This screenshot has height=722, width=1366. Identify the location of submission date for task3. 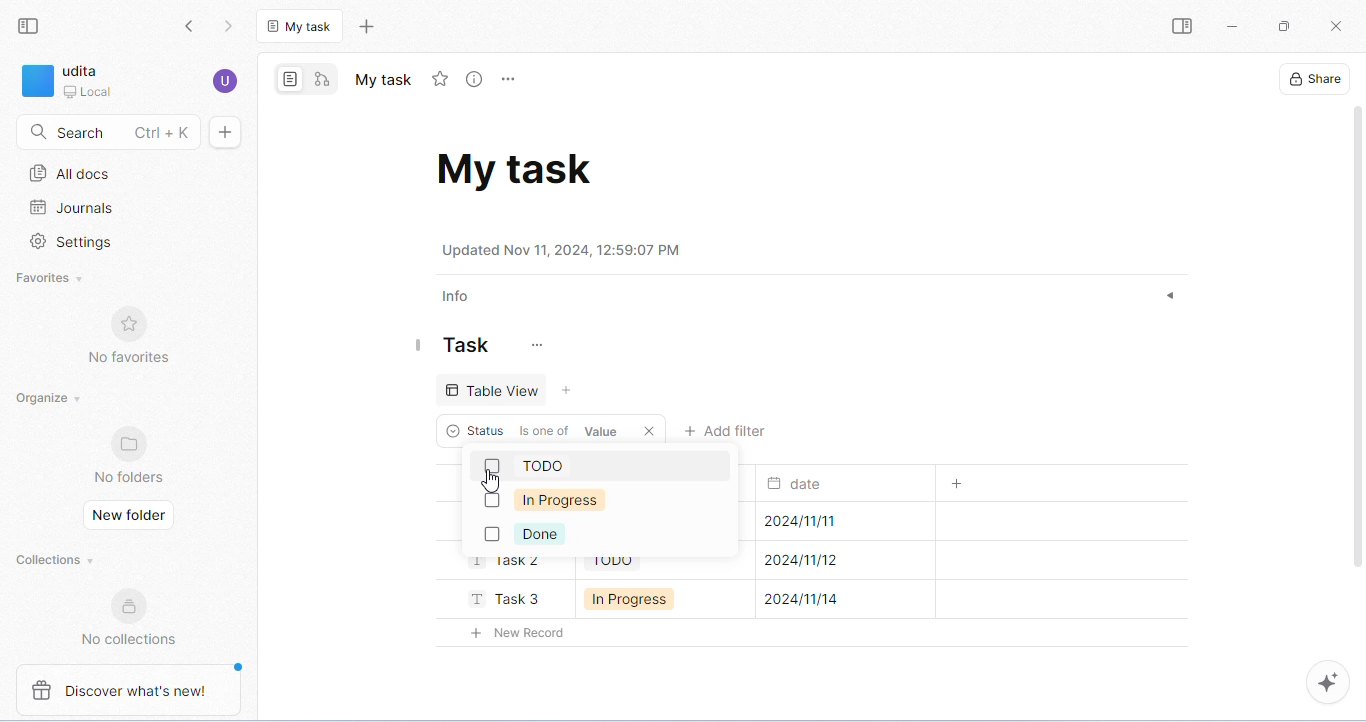
(803, 599).